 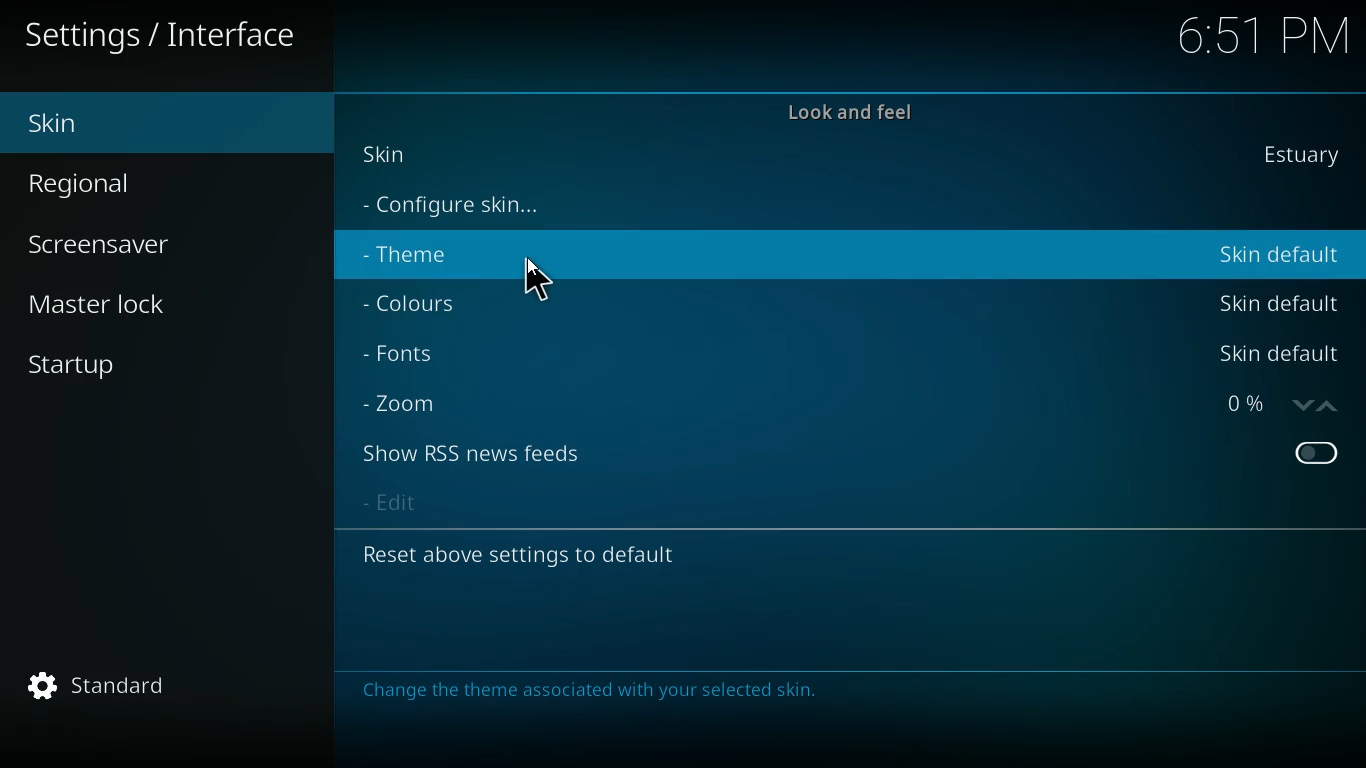 What do you see at coordinates (106, 301) in the screenshot?
I see `Master Lock` at bounding box center [106, 301].